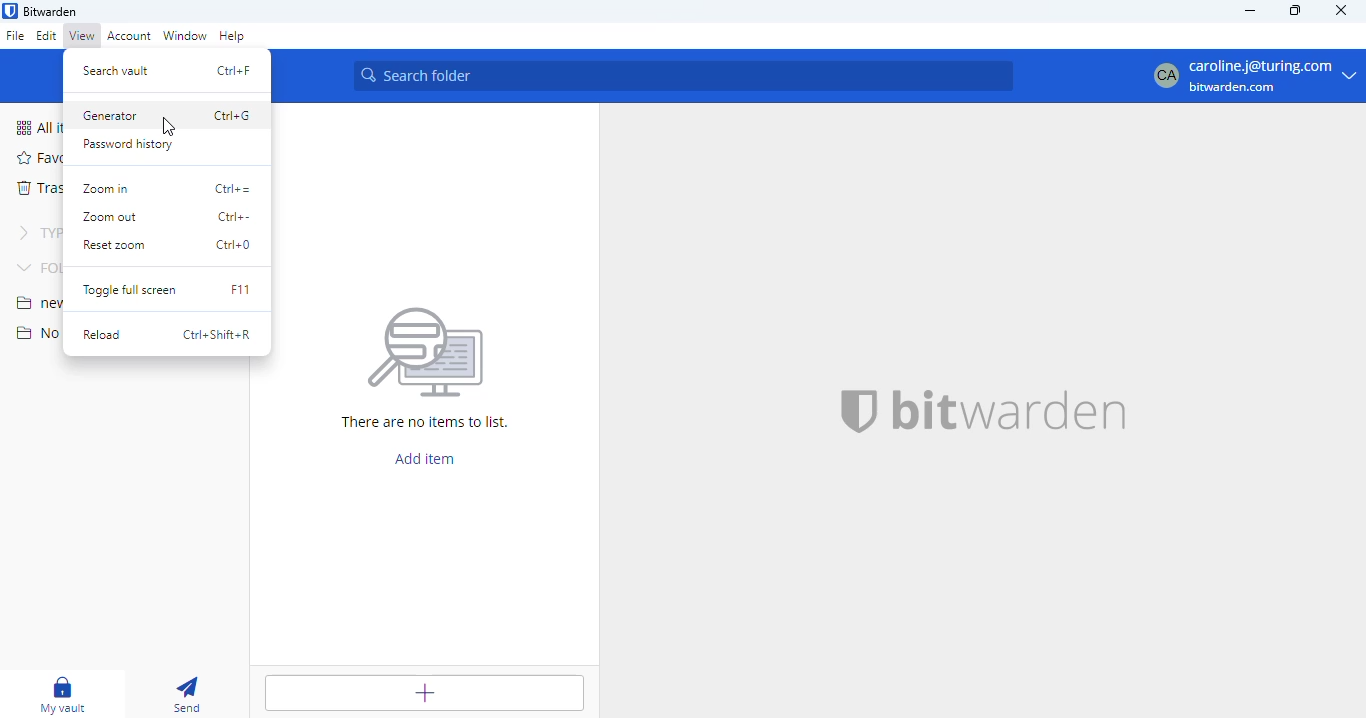  What do you see at coordinates (117, 70) in the screenshot?
I see `search vault` at bounding box center [117, 70].